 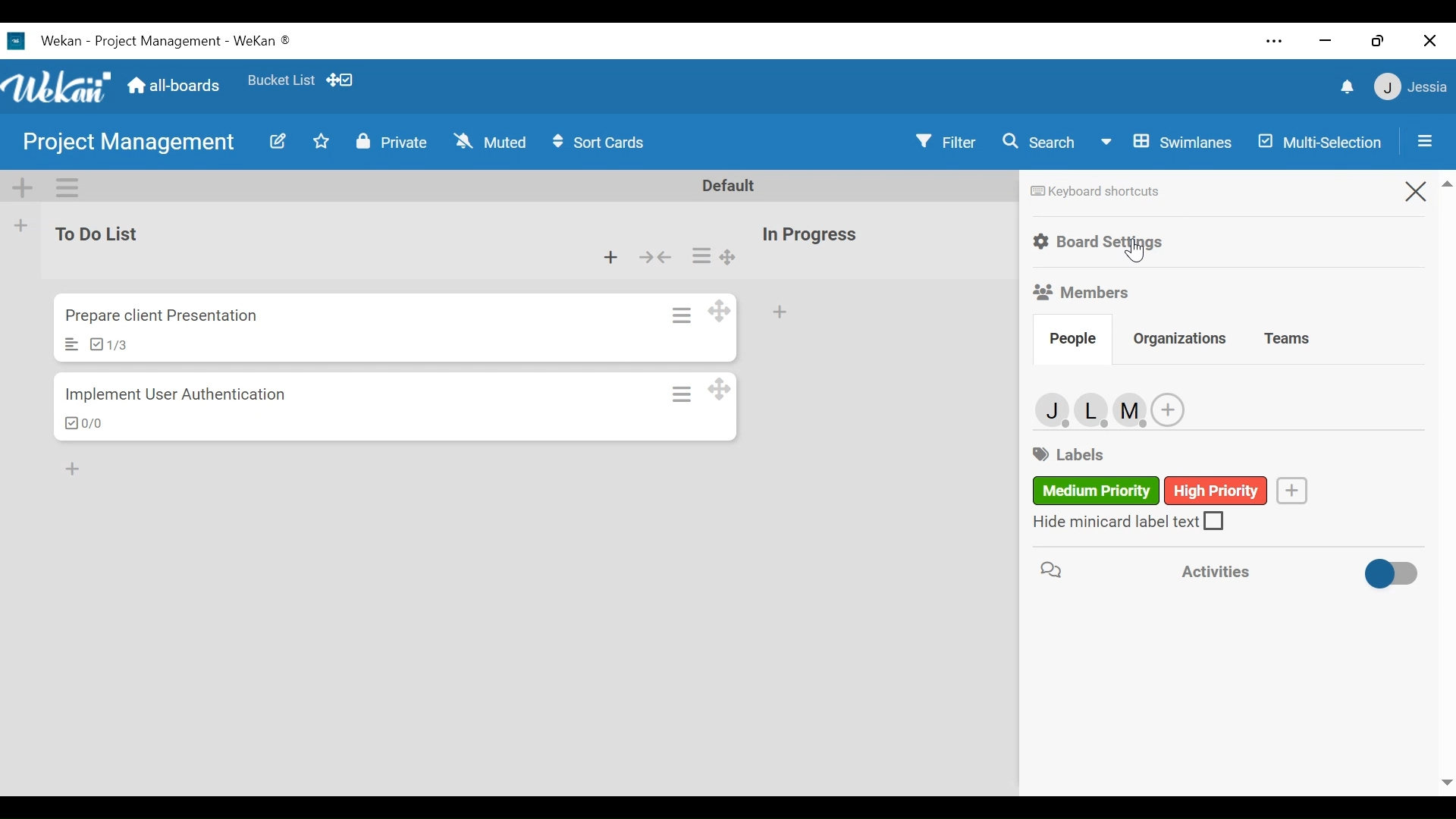 I want to click on Swimlane actions, so click(x=67, y=187).